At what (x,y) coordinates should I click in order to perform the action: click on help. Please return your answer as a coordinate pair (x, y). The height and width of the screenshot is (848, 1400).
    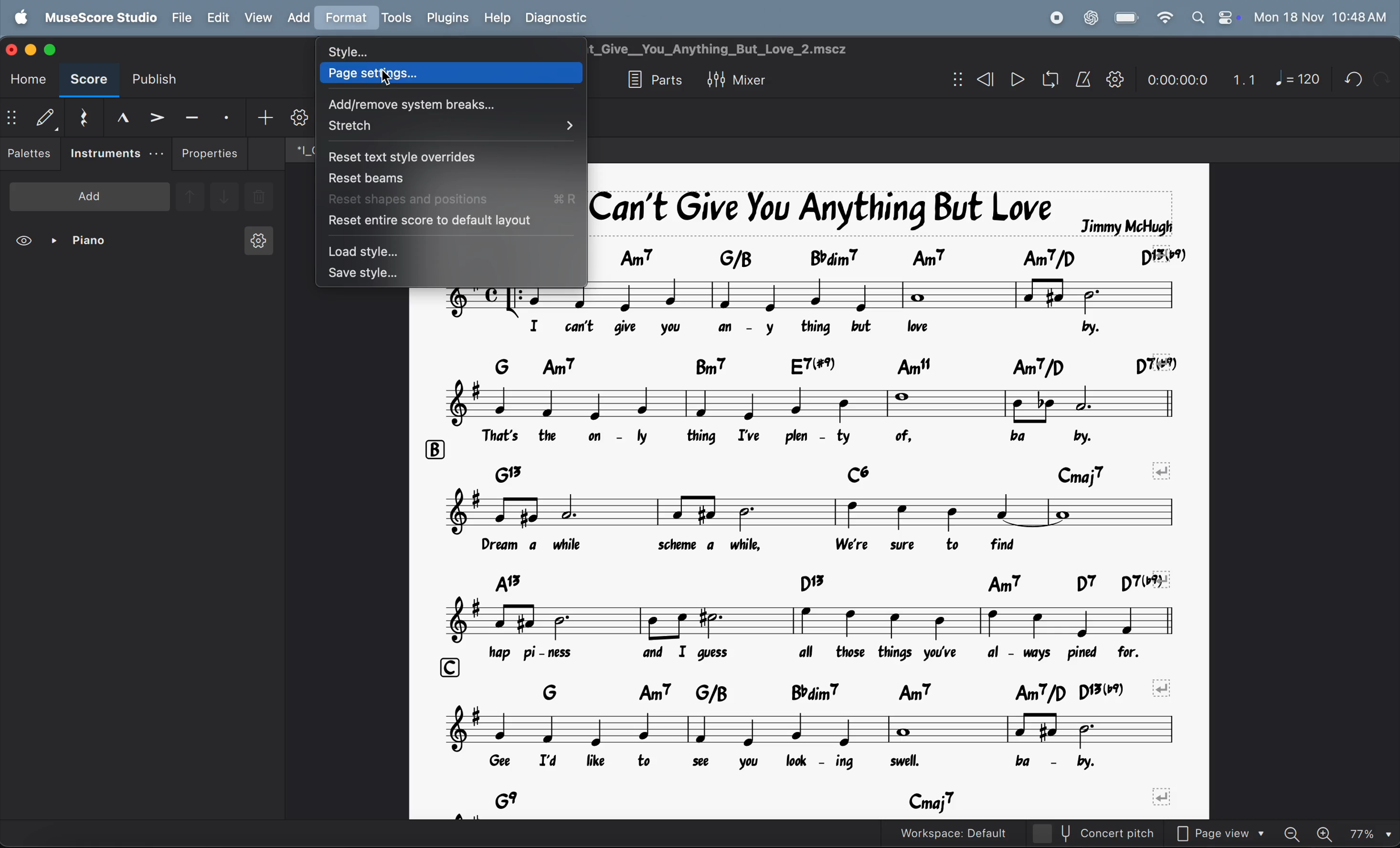
    Looking at the image, I should click on (498, 16).